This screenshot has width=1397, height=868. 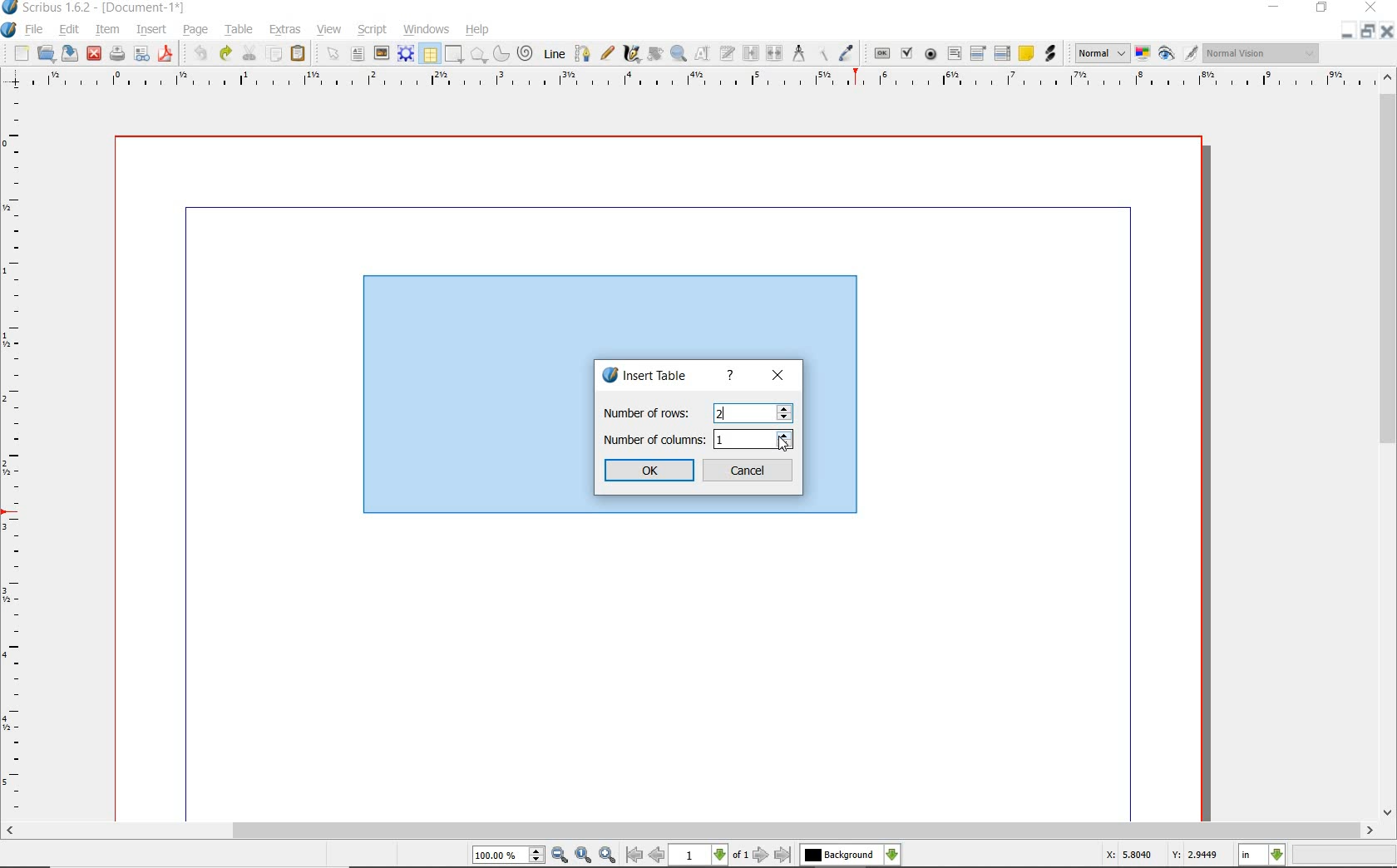 I want to click on select, so click(x=336, y=57).